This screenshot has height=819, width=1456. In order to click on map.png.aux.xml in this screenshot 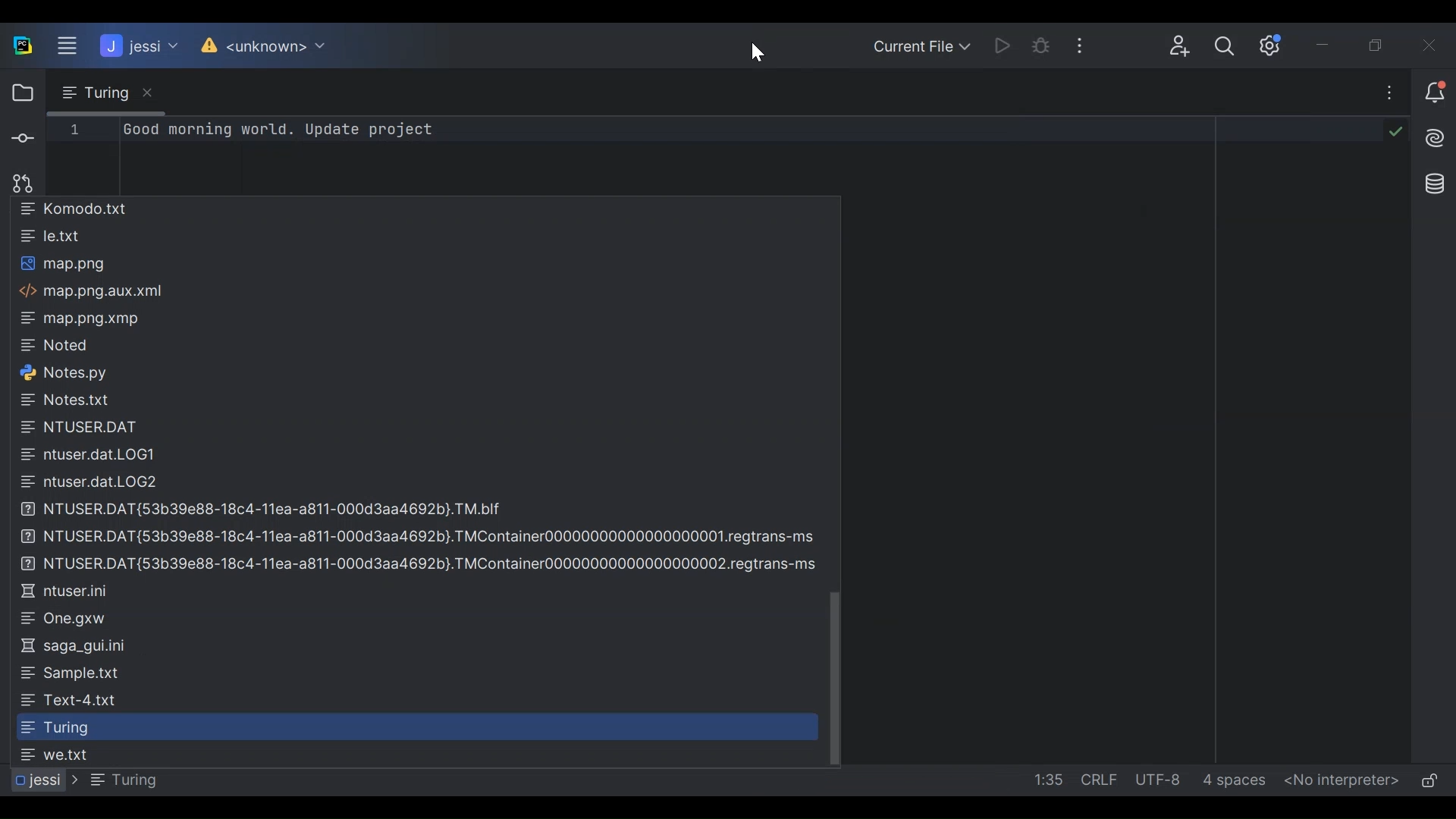, I will do `click(93, 293)`.